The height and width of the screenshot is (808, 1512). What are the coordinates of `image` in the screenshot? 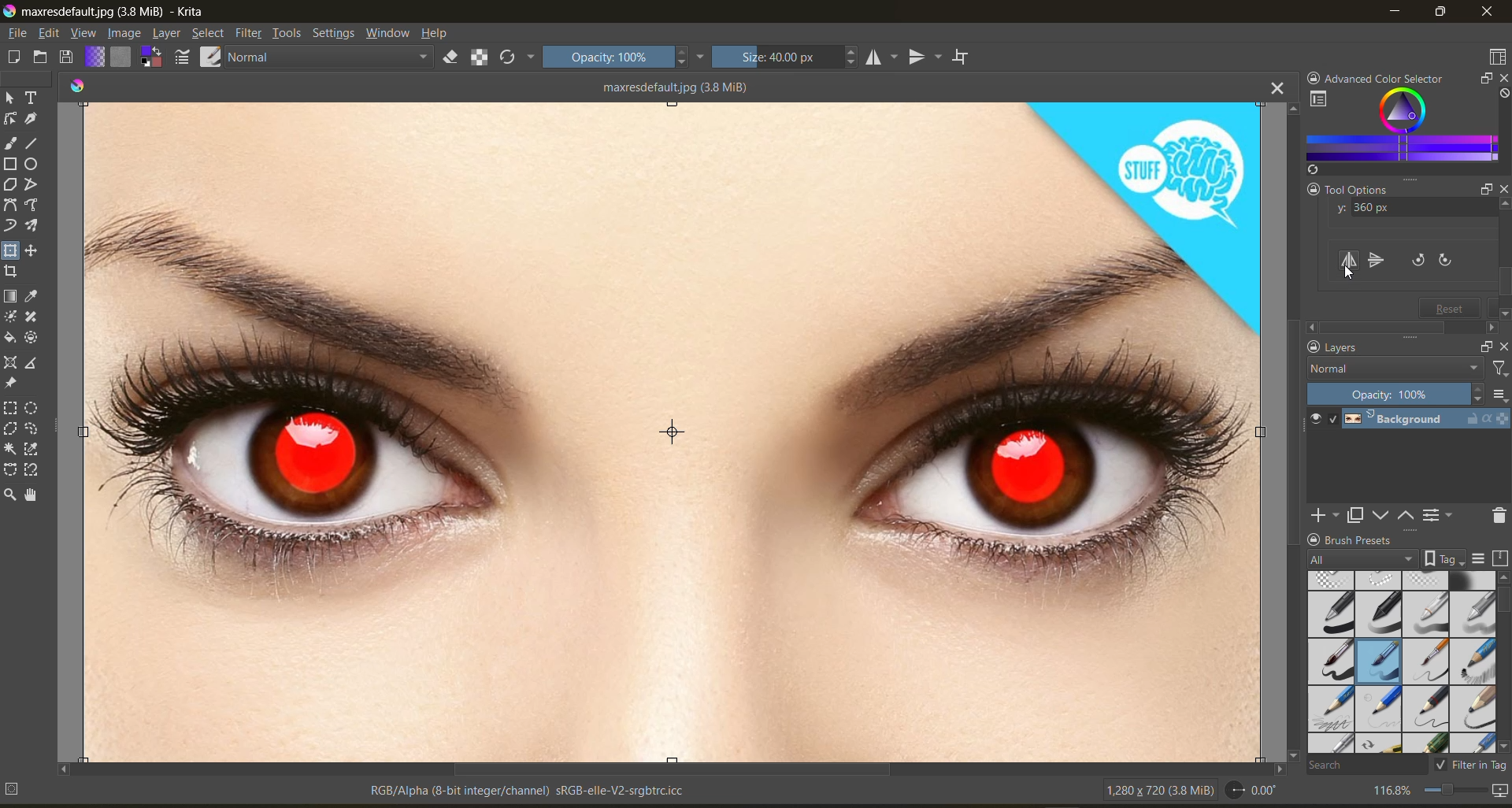 It's located at (126, 33).